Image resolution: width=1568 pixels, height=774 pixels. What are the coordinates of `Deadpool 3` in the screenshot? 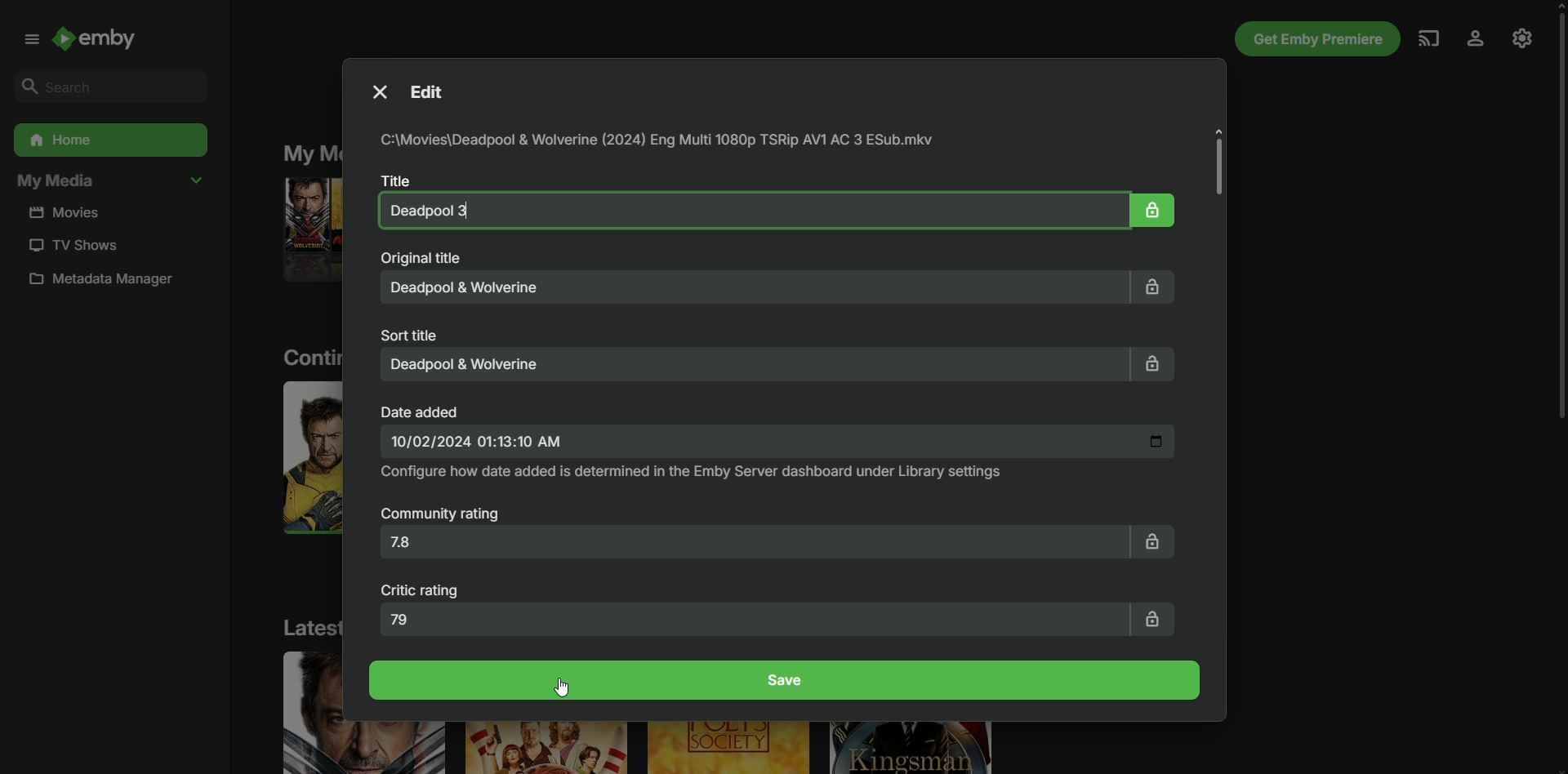 It's located at (434, 211).